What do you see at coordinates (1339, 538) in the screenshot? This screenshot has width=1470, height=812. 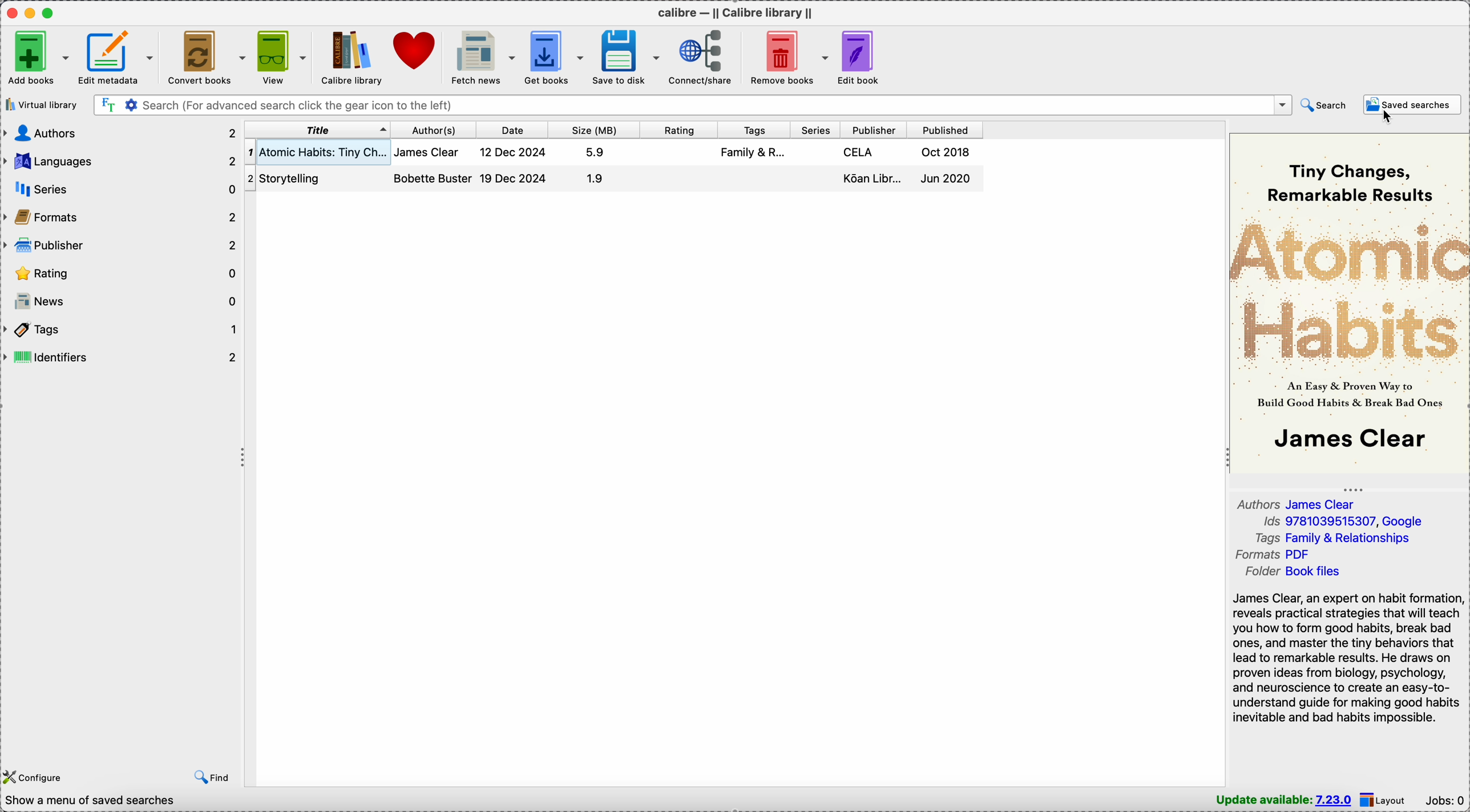 I see `tags: family & relationships` at bounding box center [1339, 538].